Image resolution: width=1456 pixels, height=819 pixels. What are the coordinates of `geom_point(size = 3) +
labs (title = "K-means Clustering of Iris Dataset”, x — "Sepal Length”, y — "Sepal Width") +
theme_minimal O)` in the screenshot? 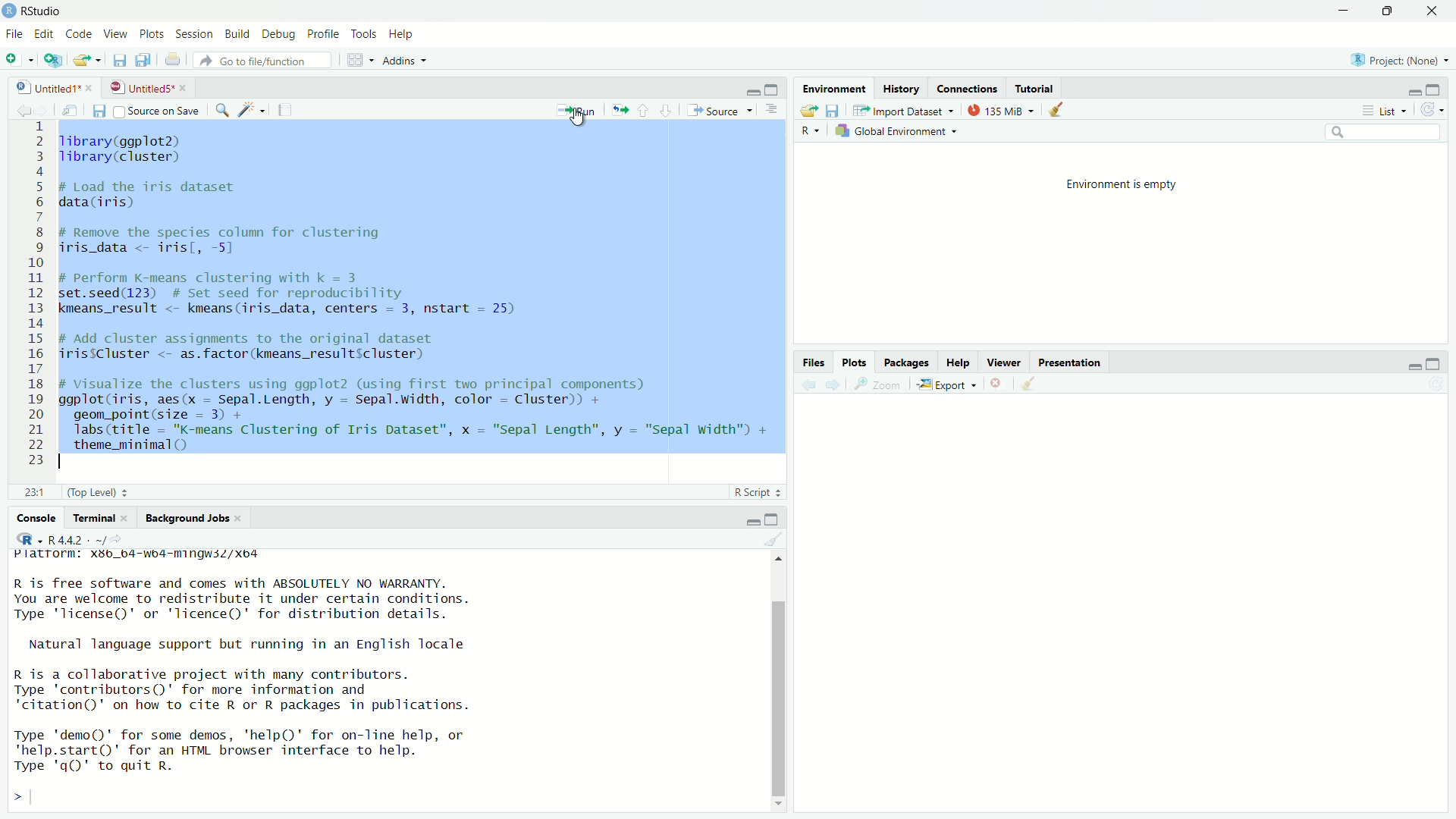 It's located at (428, 431).